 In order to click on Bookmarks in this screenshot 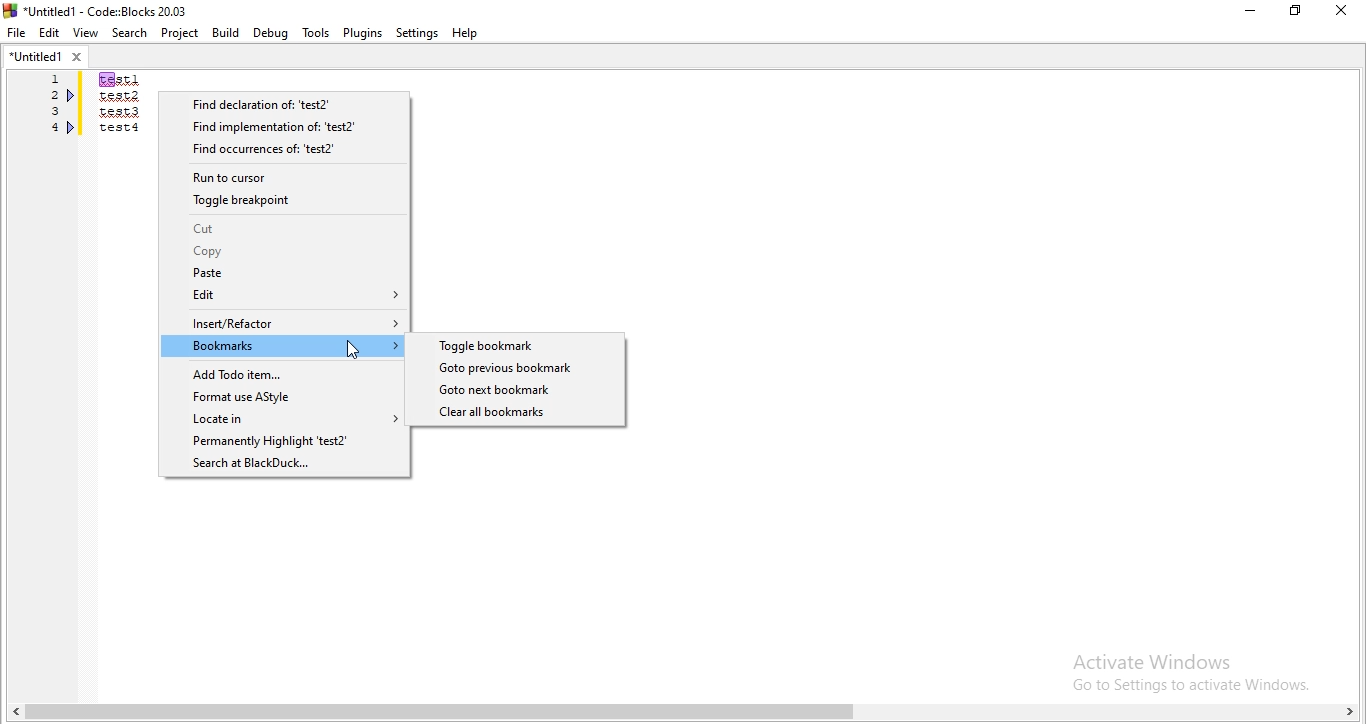, I will do `click(285, 346)`.